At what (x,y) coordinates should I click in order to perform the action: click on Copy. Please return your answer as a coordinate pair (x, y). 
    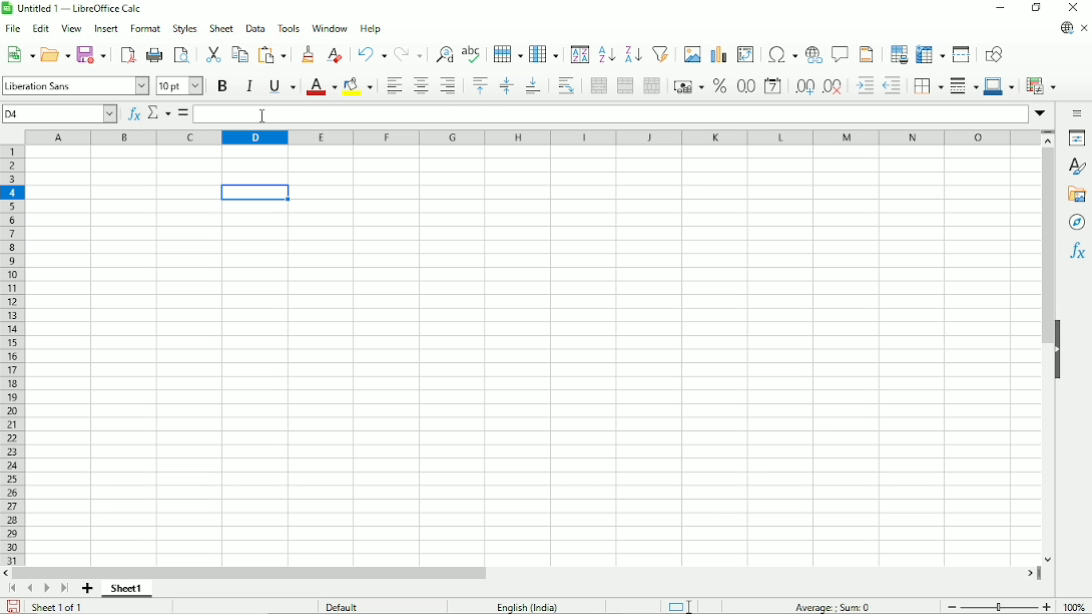
    Looking at the image, I should click on (239, 55).